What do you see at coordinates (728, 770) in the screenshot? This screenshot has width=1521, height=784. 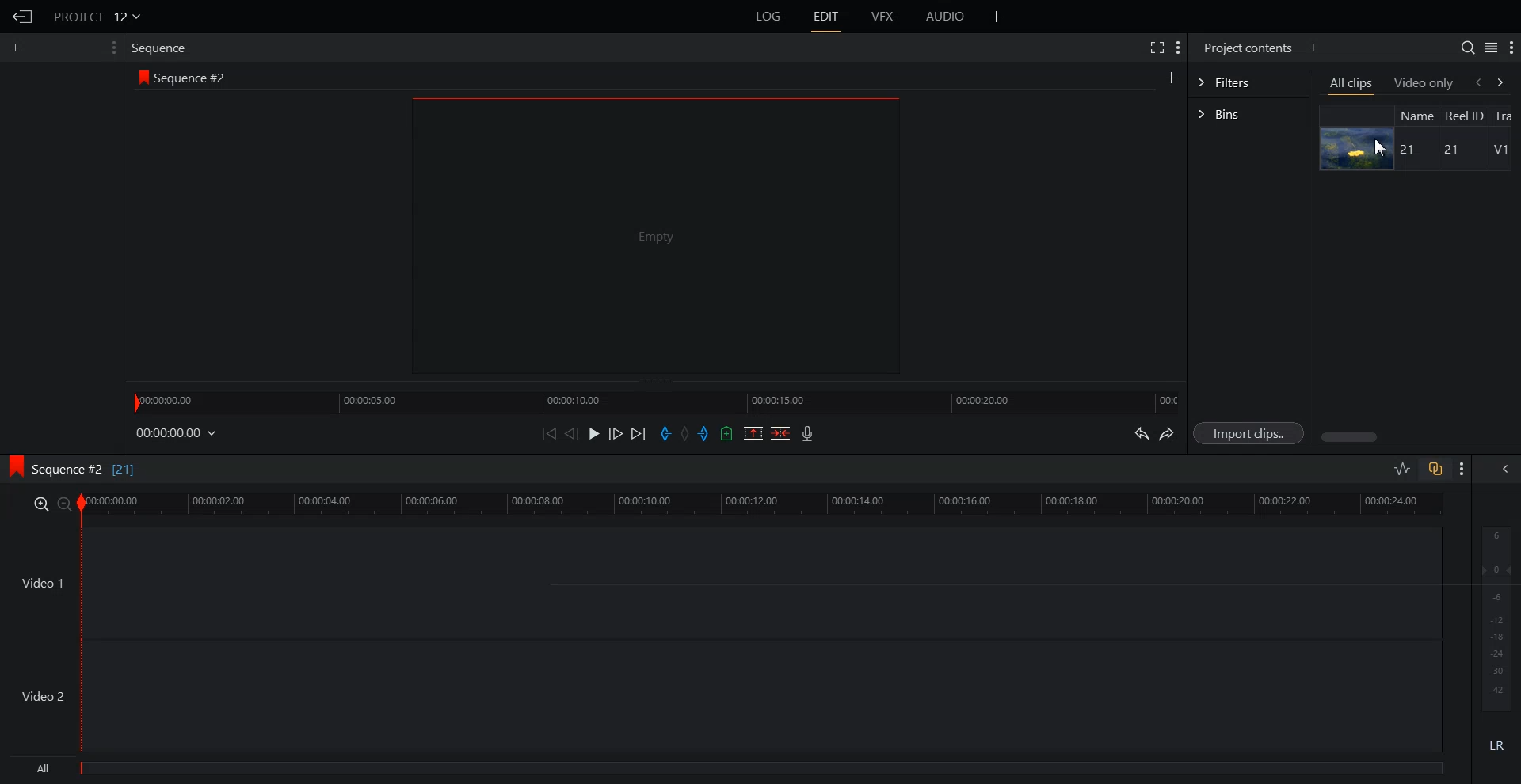 I see `All` at bounding box center [728, 770].